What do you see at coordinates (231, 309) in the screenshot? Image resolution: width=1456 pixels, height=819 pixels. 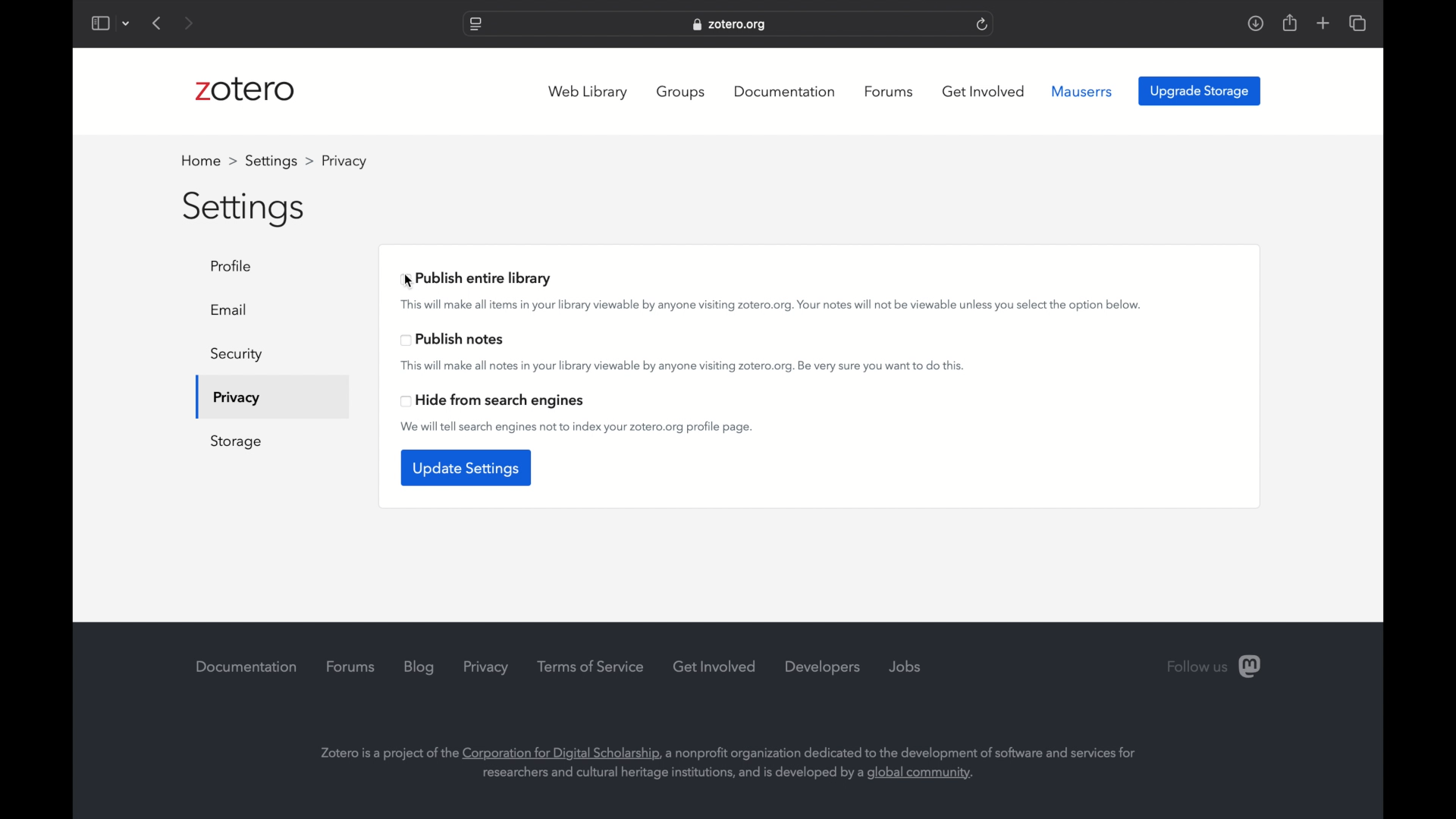 I see `email` at bounding box center [231, 309].